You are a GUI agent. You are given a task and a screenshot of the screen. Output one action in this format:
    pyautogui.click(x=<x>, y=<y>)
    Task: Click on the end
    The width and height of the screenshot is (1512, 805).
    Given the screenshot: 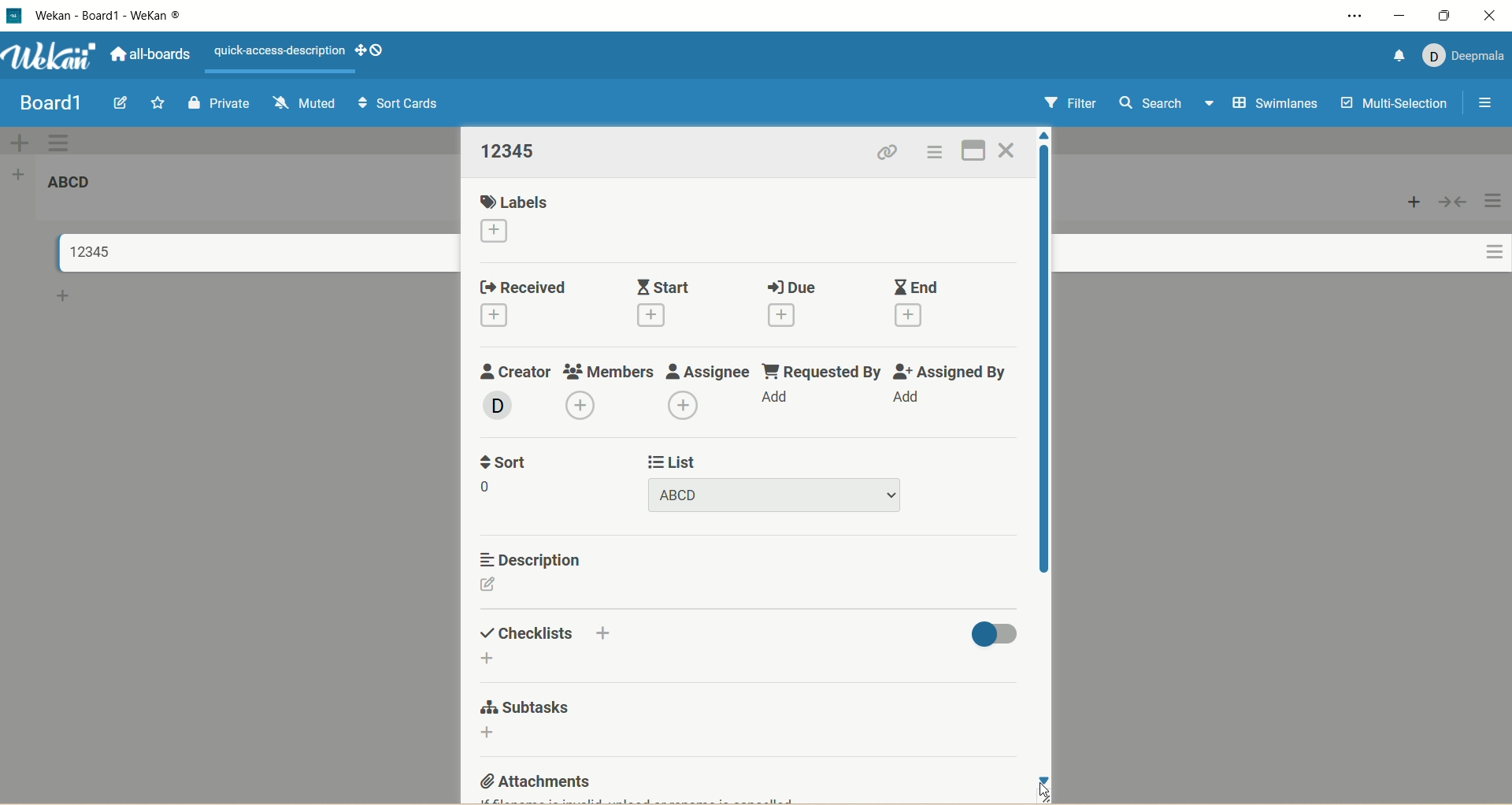 What is the action you would take?
    pyautogui.click(x=913, y=287)
    